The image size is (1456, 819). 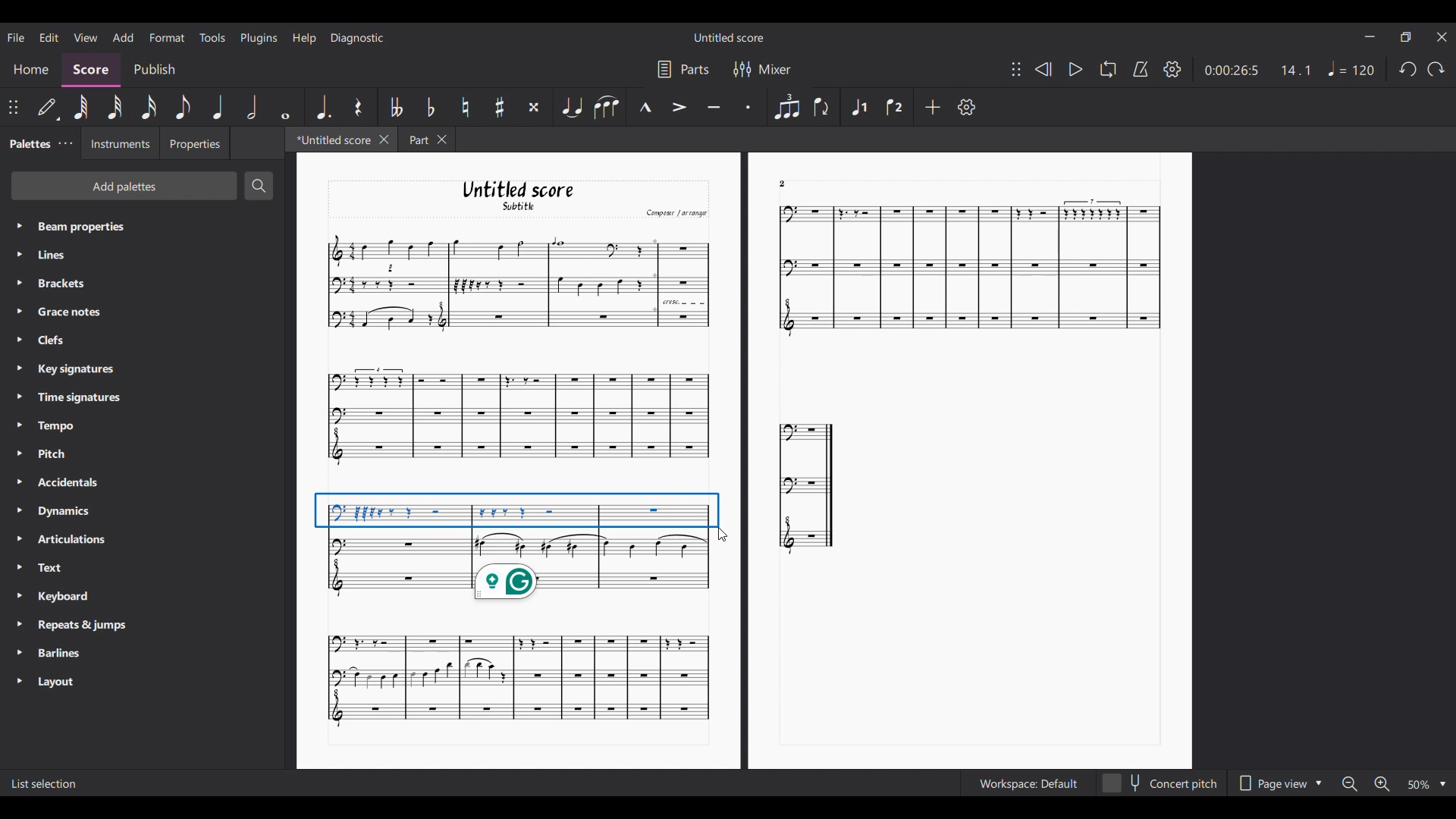 What do you see at coordinates (50, 426) in the screenshot?
I see `> Tempo` at bounding box center [50, 426].